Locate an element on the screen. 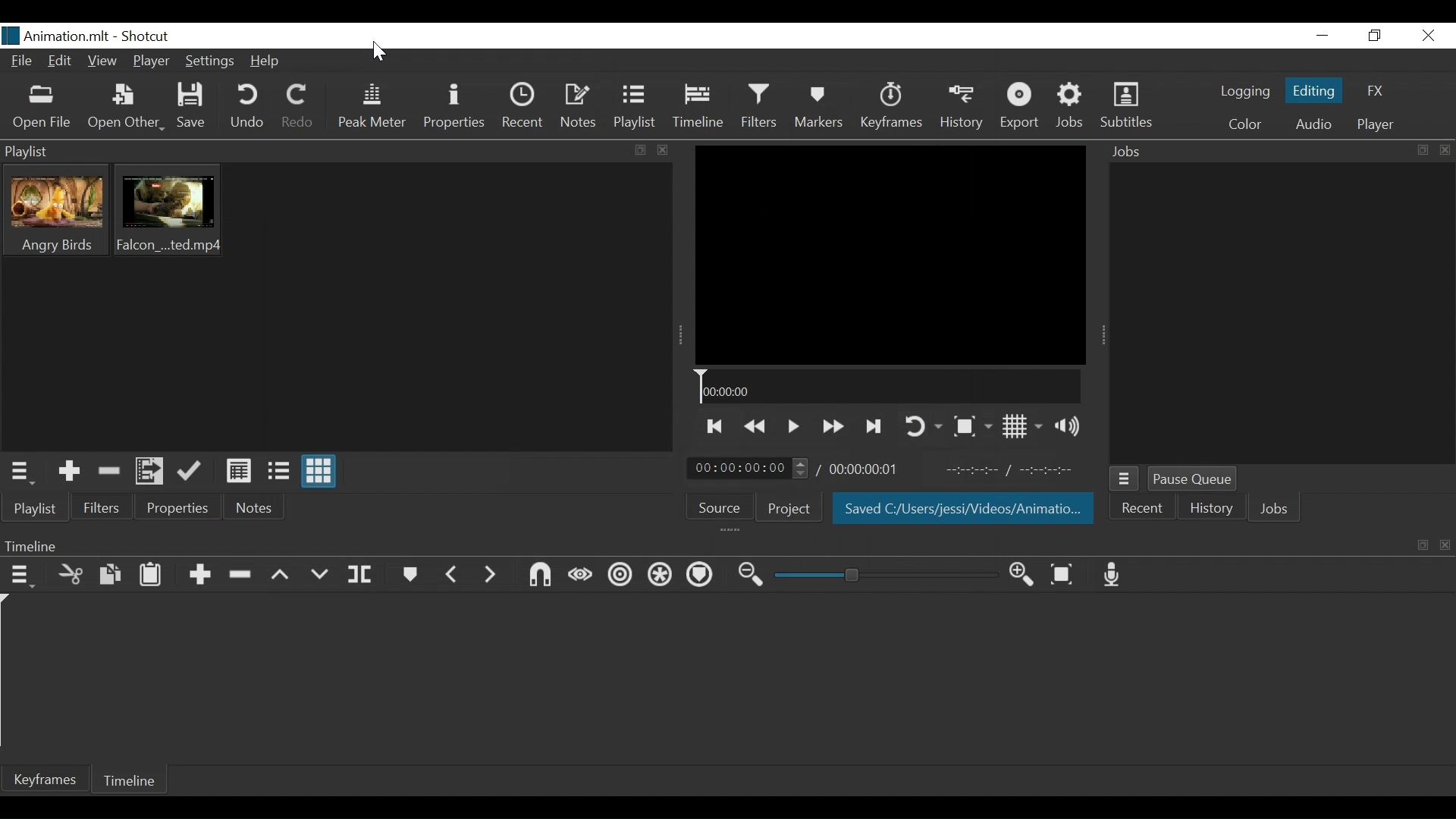 The width and height of the screenshot is (1456, 819). Ripple Delete is located at coordinates (240, 575).